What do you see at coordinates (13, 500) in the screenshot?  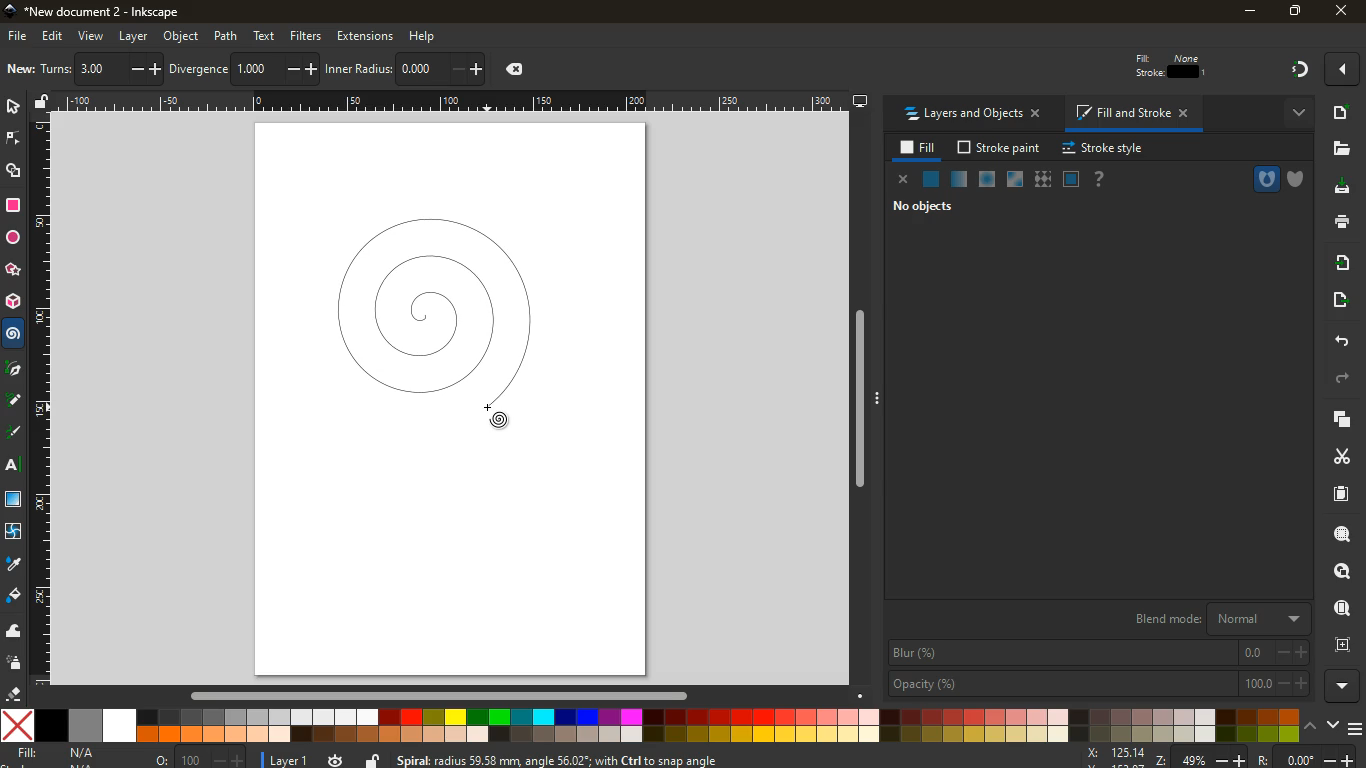 I see `glass` at bounding box center [13, 500].